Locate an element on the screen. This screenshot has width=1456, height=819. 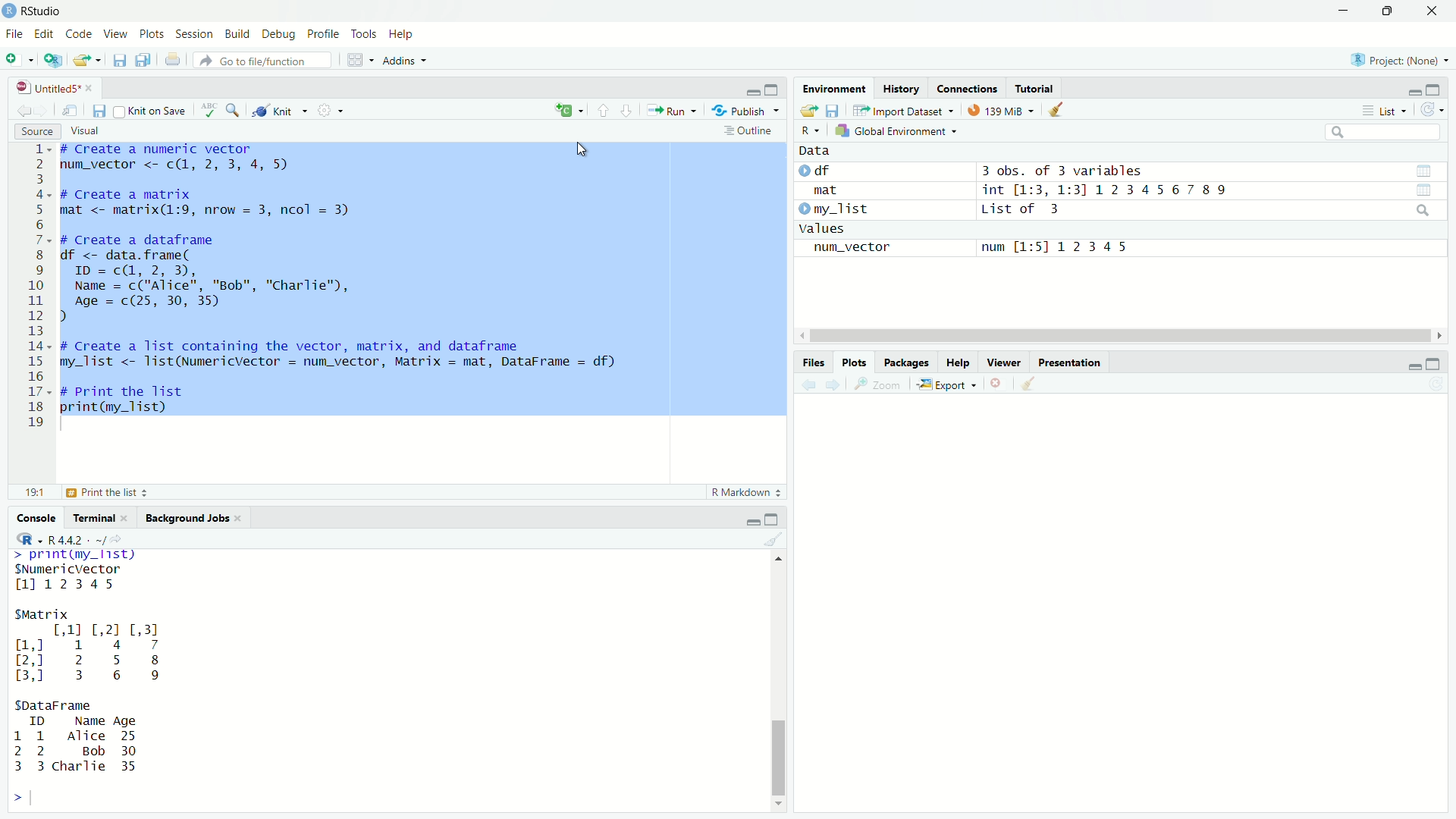
View is located at coordinates (117, 35).